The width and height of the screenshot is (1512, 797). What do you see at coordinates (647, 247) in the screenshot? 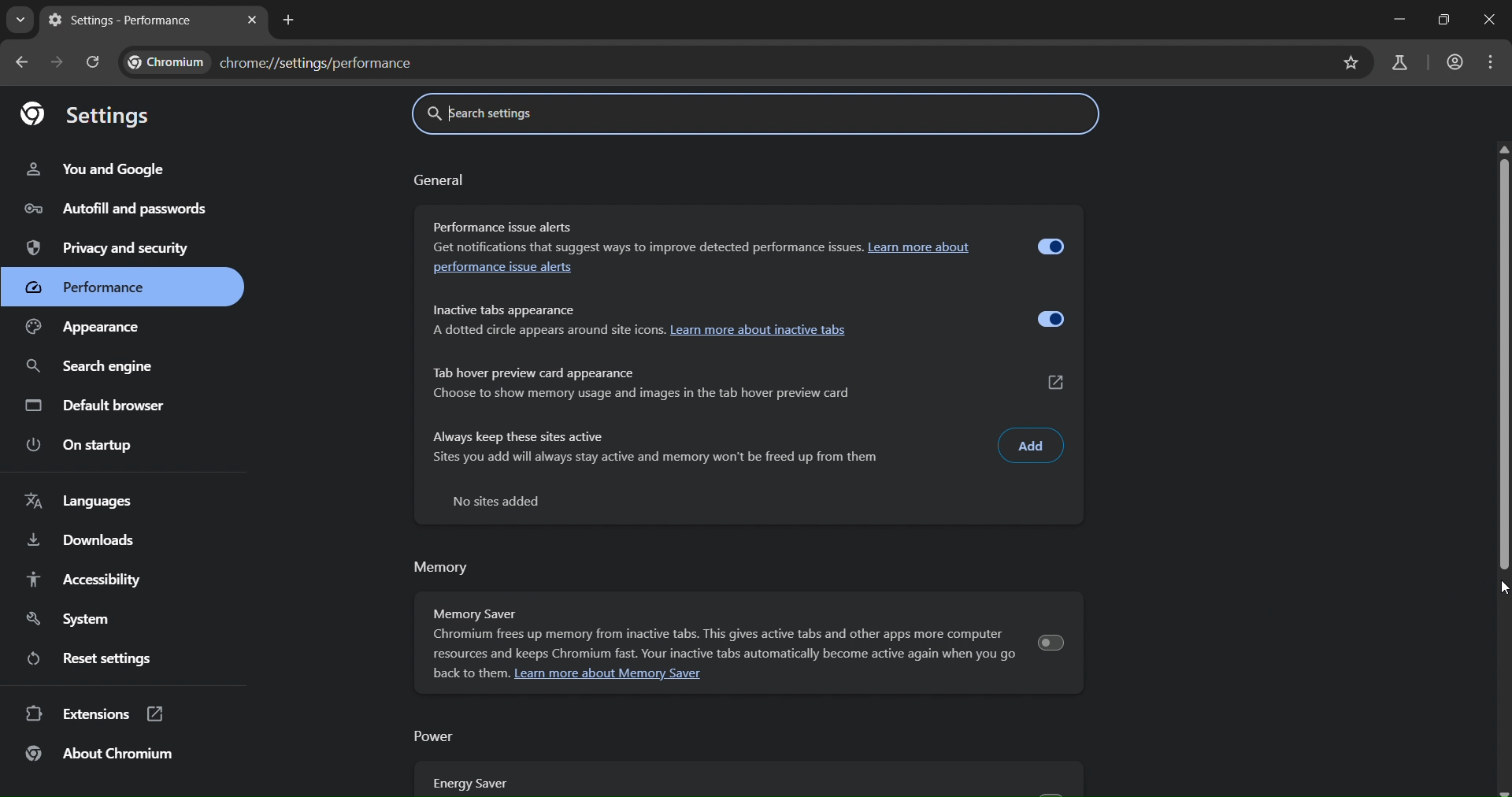
I see `Get notifications that suggest ways to improve detected performance issues.` at bounding box center [647, 247].